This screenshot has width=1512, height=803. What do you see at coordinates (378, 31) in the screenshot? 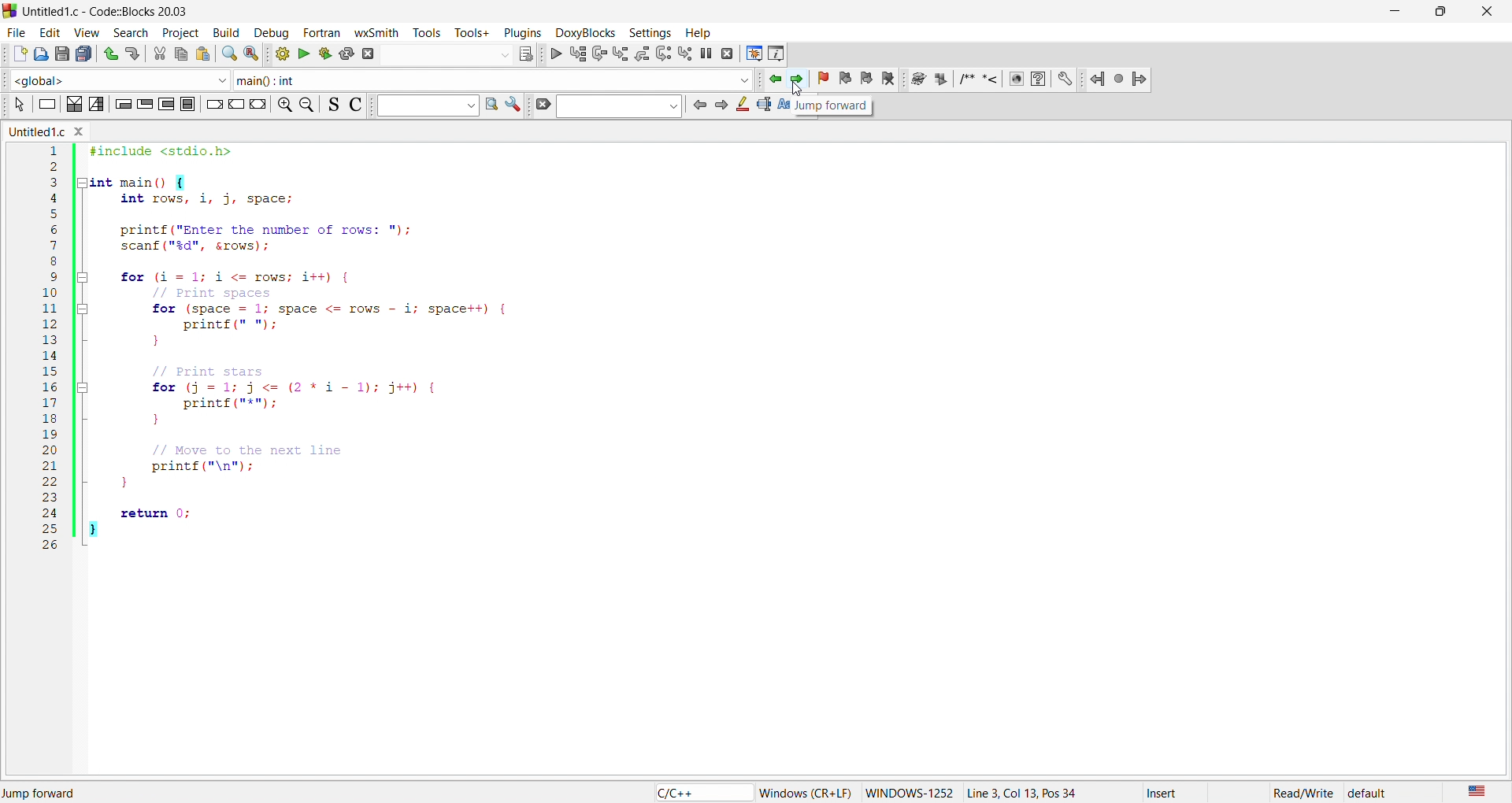
I see `wxsmith` at bounding box center [378, 31].